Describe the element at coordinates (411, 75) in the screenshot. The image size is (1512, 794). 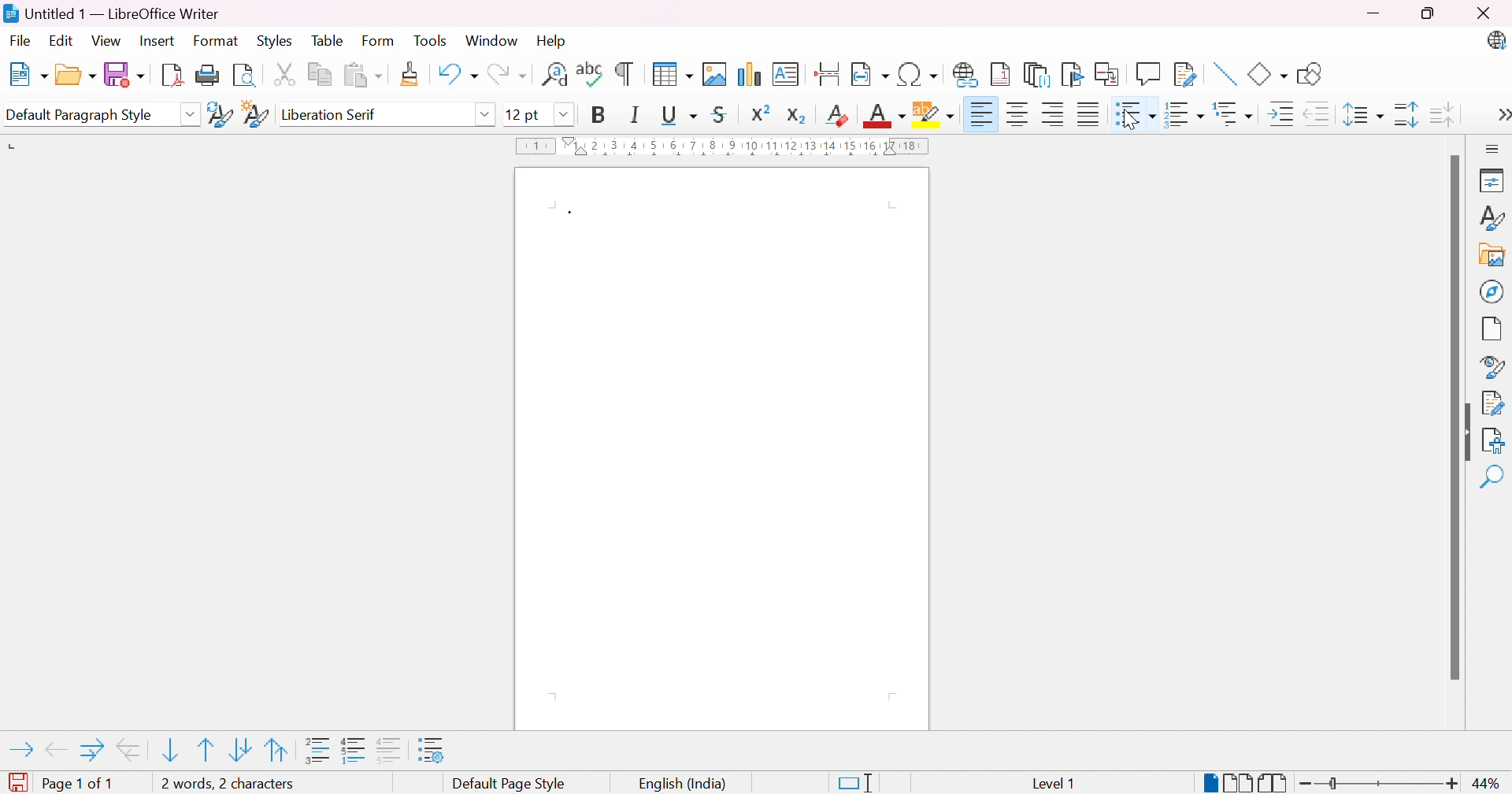
I see `Clone formatting` at that location.